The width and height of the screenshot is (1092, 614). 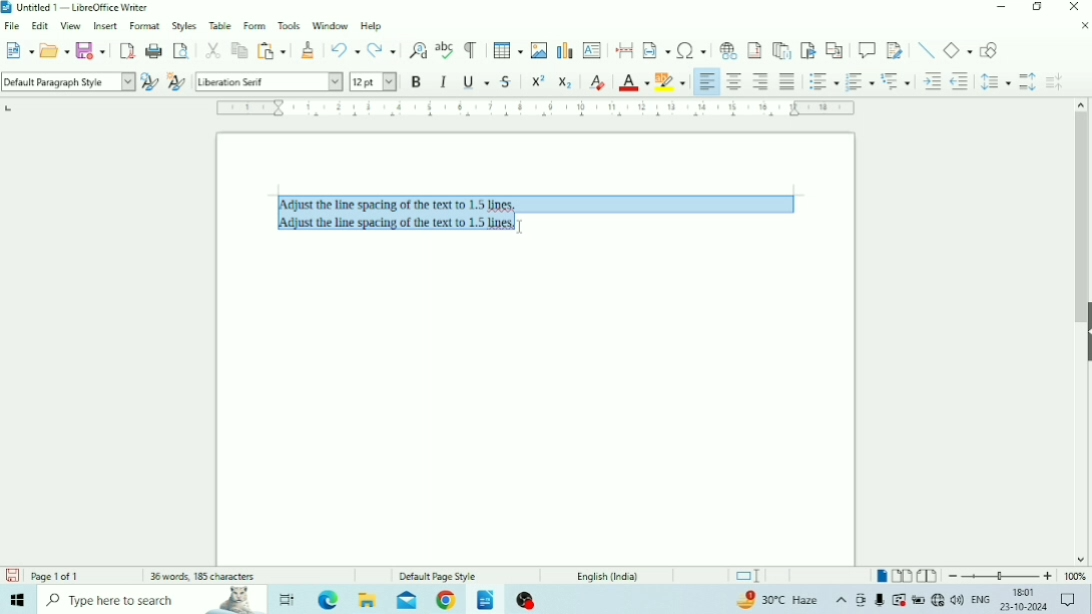 What do you see at coordinates (1001, 7) in the screenshot?
I see `Minimize` at bounding box center [1001, 7].